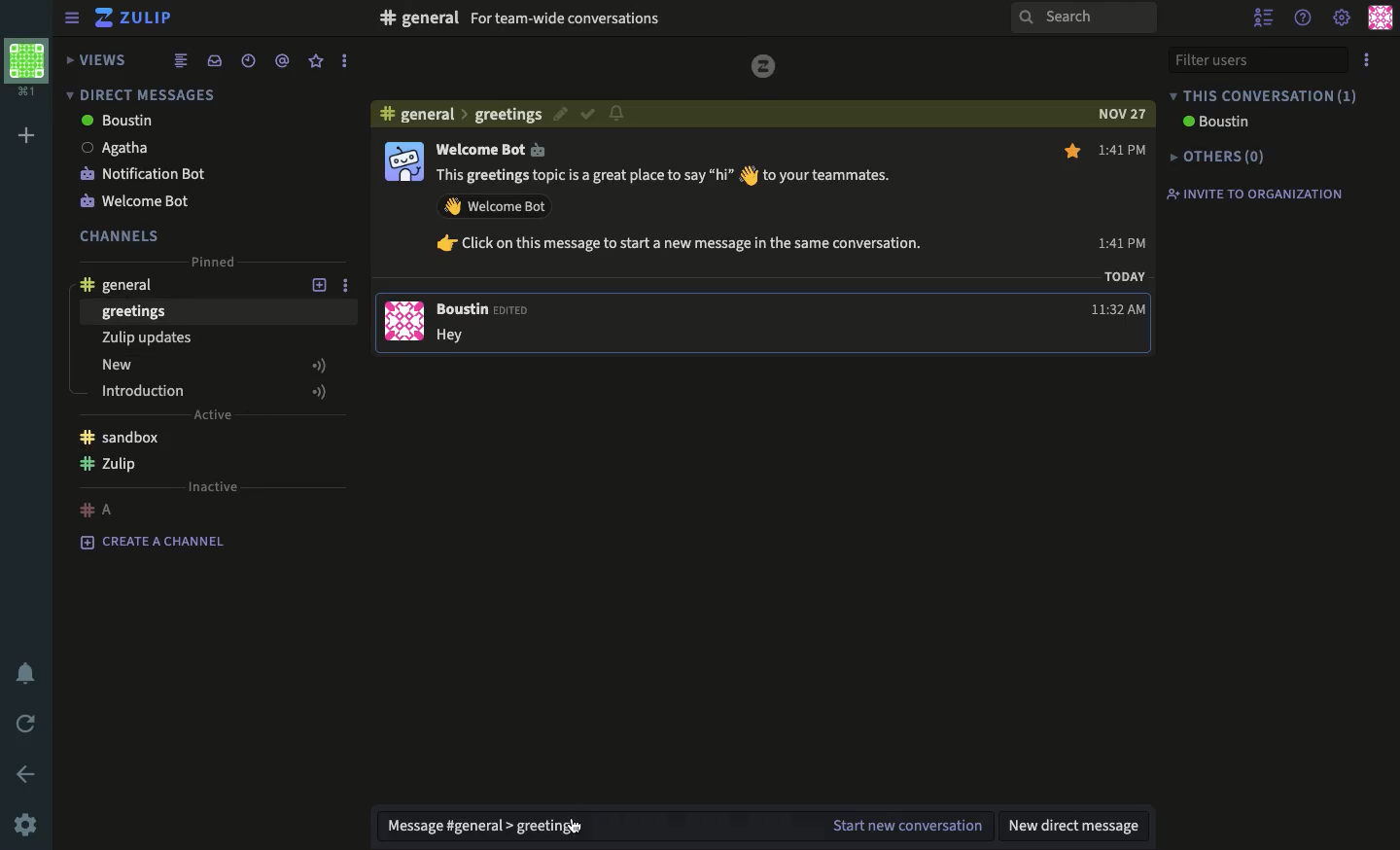 This screenshot has width=1400, height=850. Describe the element at coordinates (1121, 310) in the screenshot. I see `11:32 AM` at that location.